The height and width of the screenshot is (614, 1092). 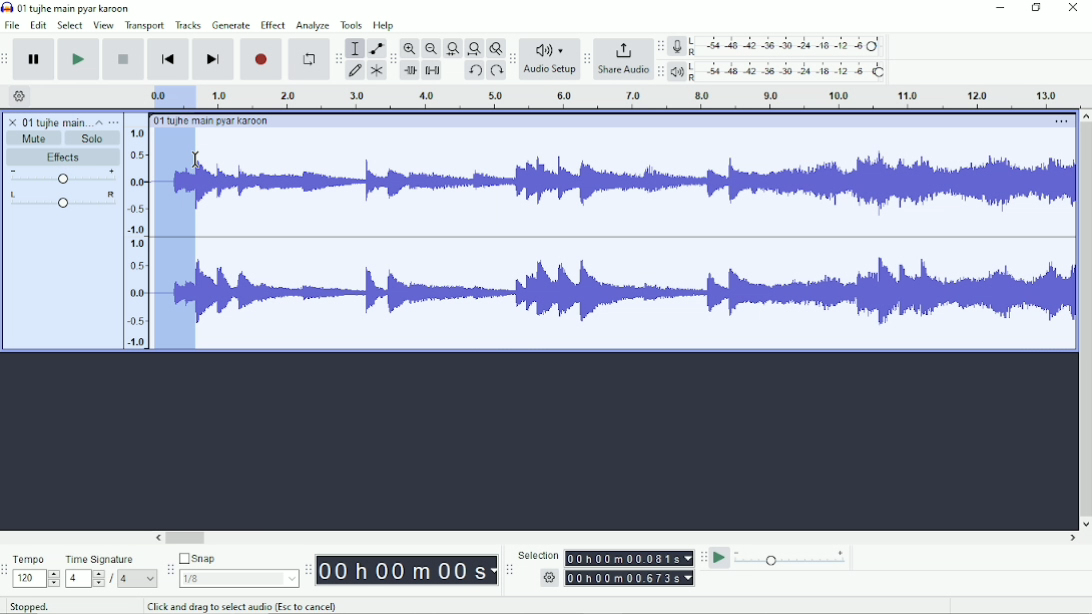 I want to click on Help, so click(x=385, y=26).